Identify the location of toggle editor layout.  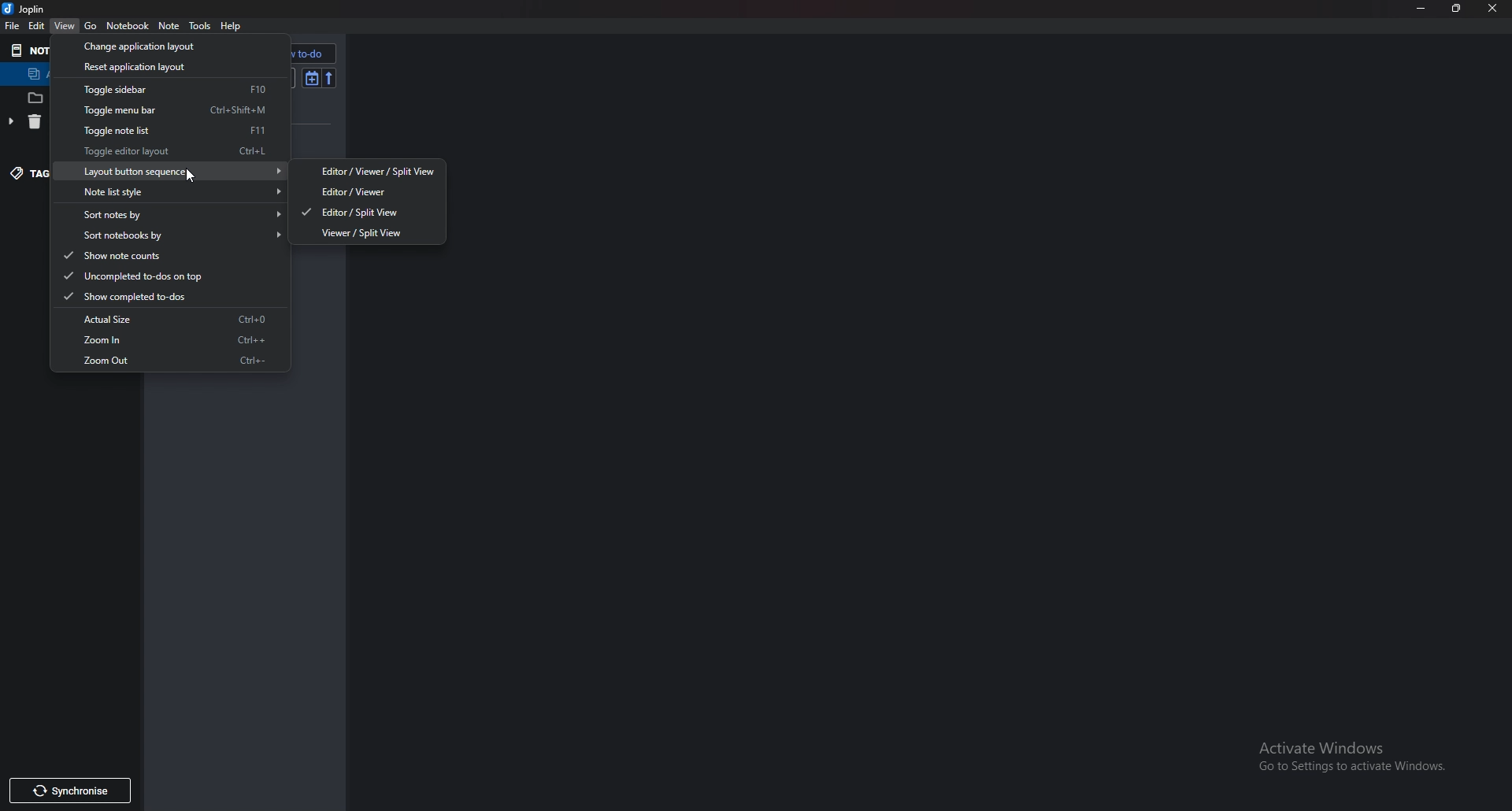
(169, 151).